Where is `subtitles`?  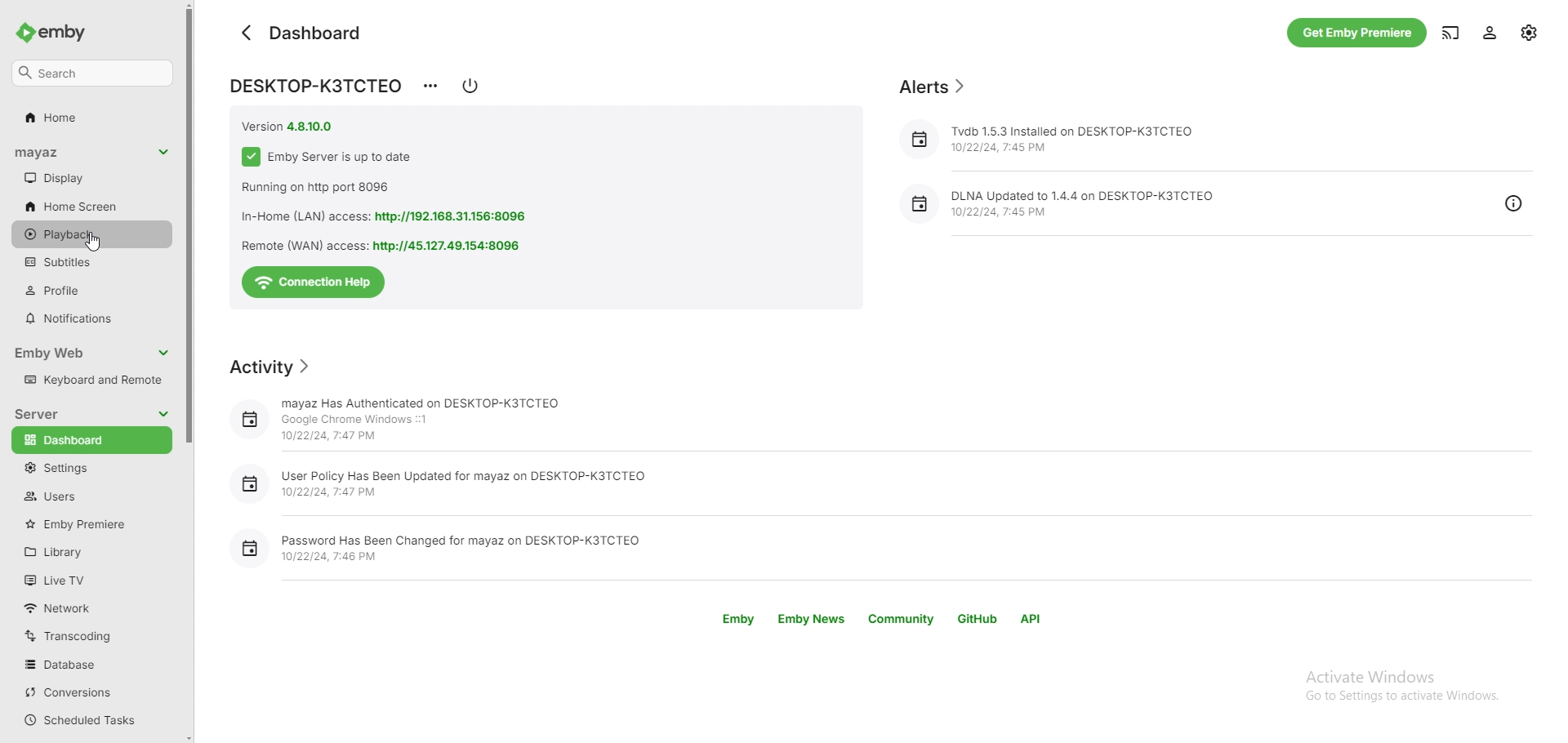 subtitles is located at coordinates (88, 262).